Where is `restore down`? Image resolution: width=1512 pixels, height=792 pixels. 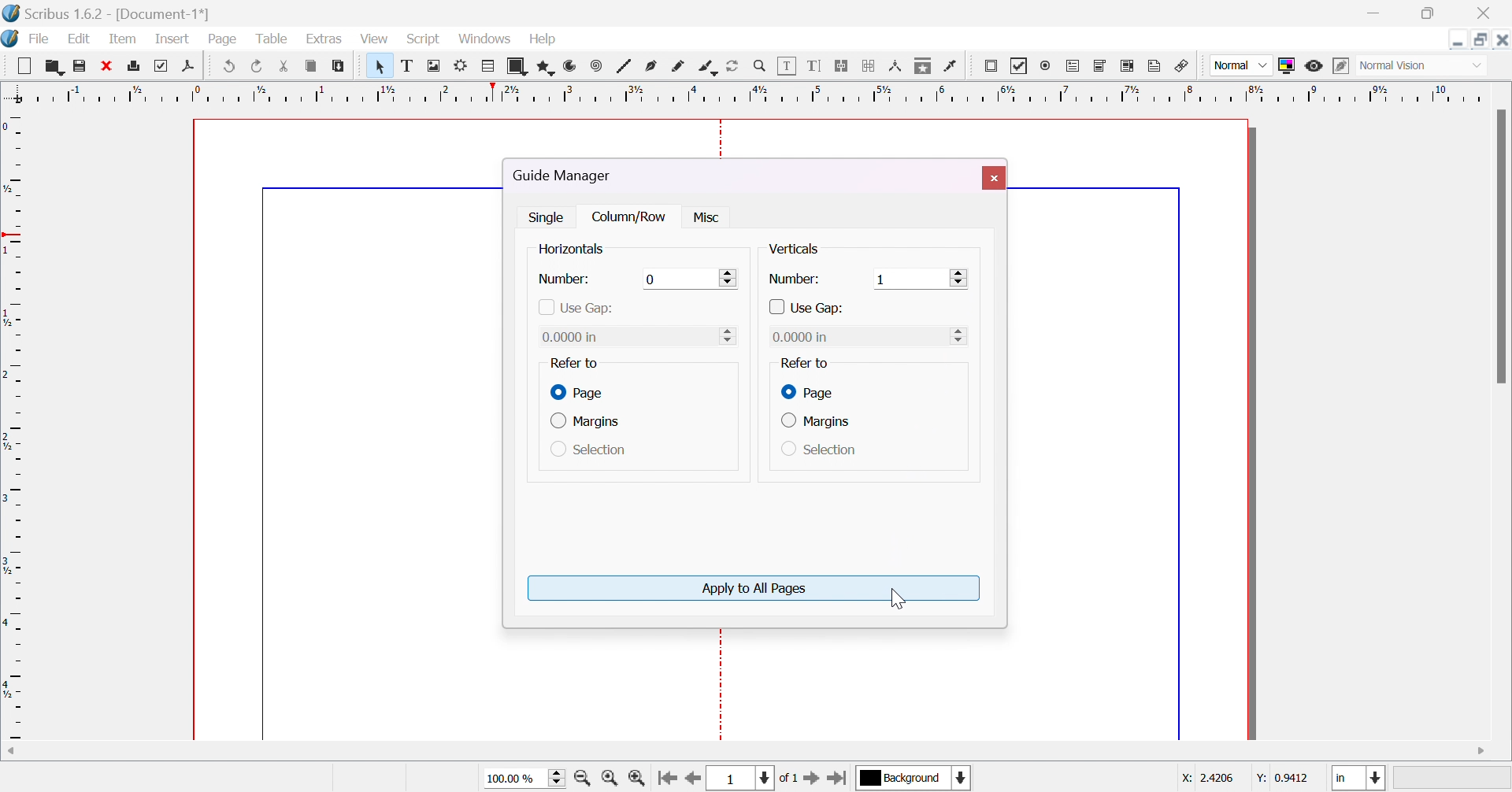 restore down is located at coordinates (1429, 14).